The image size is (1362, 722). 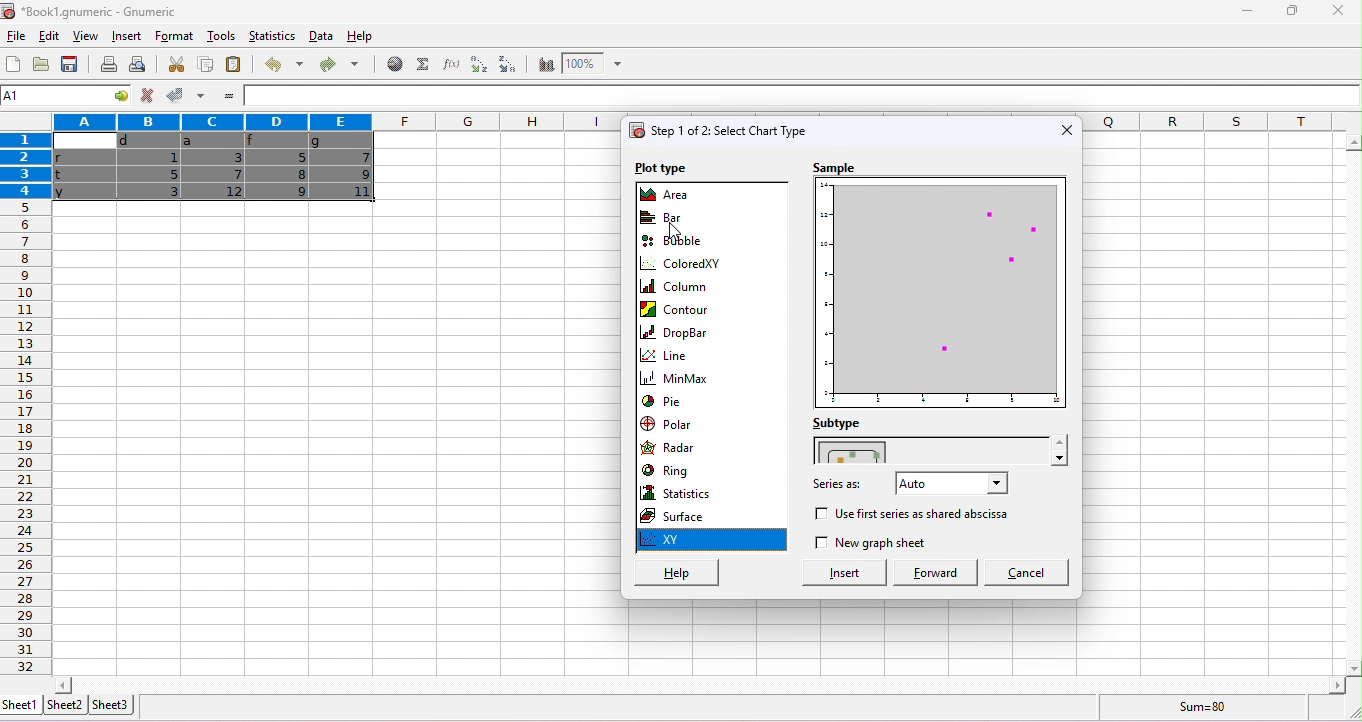 I want to click on select chart type, so click(x=718, y=132).